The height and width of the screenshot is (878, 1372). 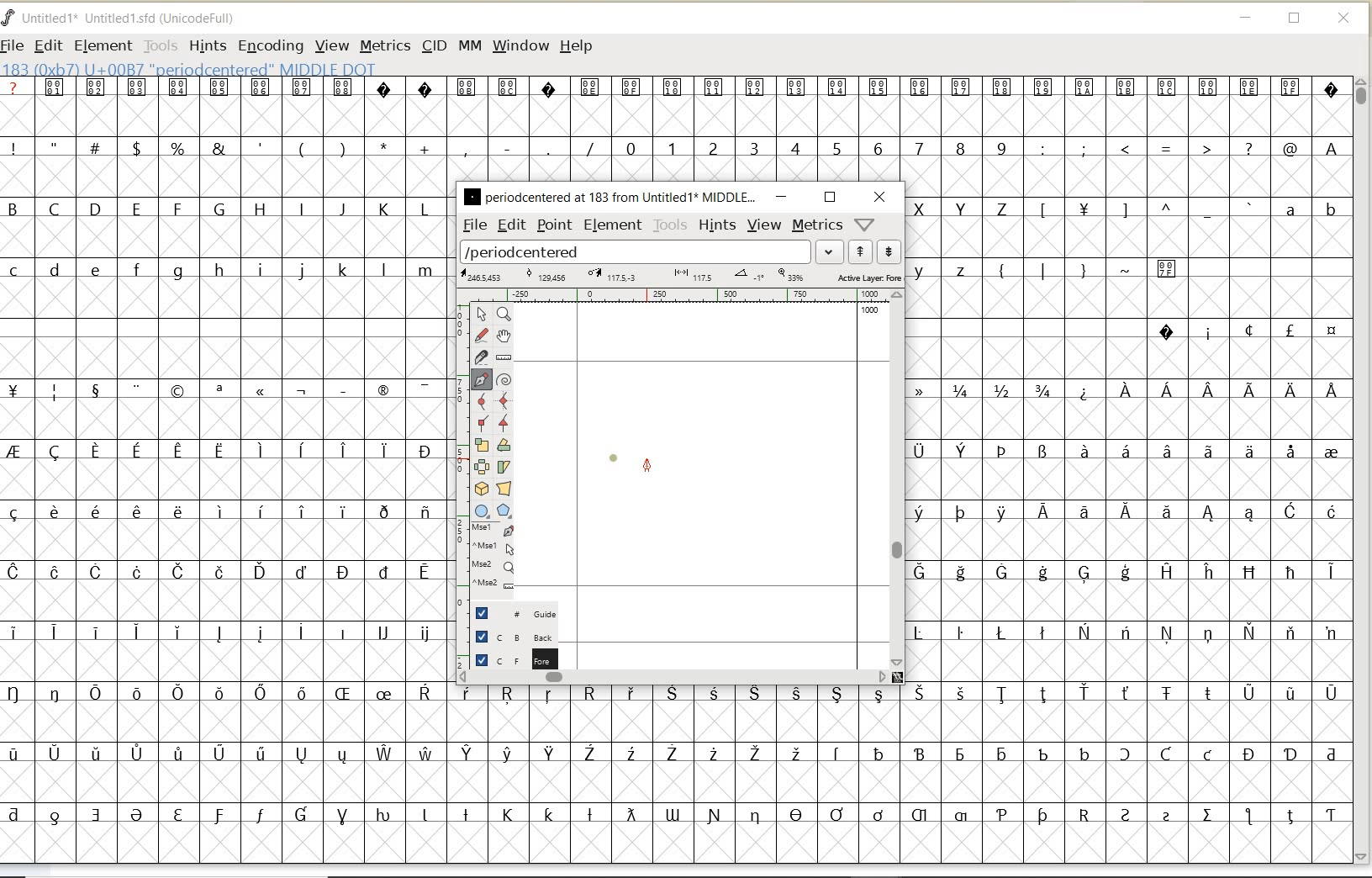 I want to click on CID, so click(x=434, y=48).